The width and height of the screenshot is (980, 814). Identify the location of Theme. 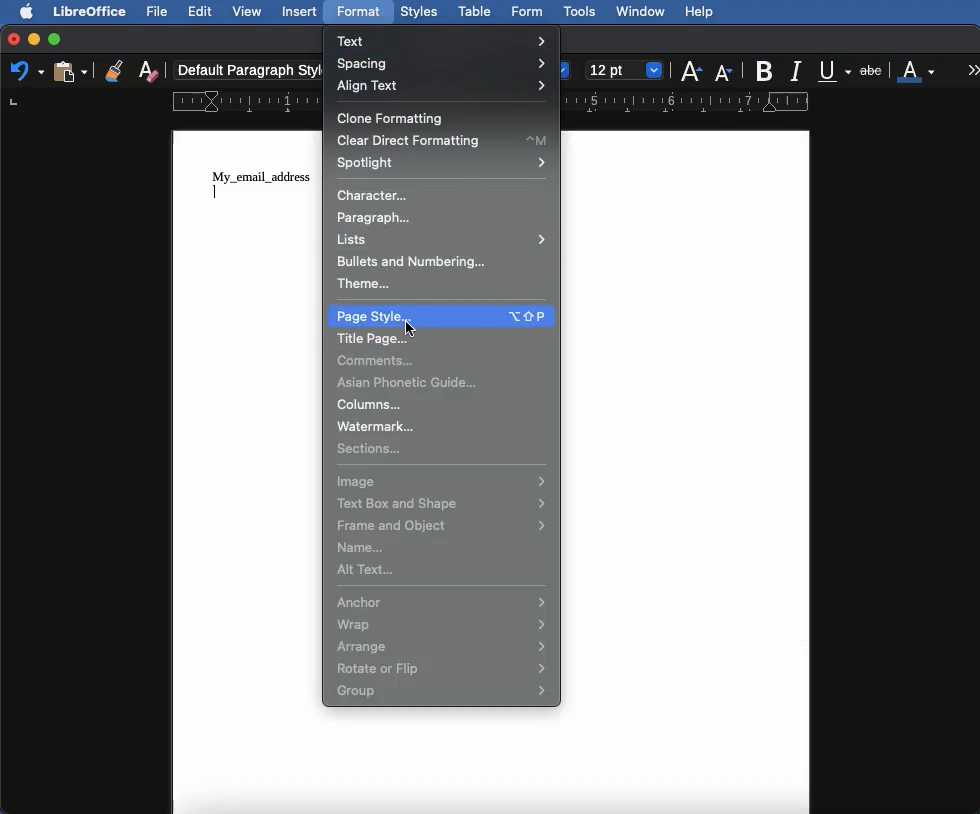
(365, 283).